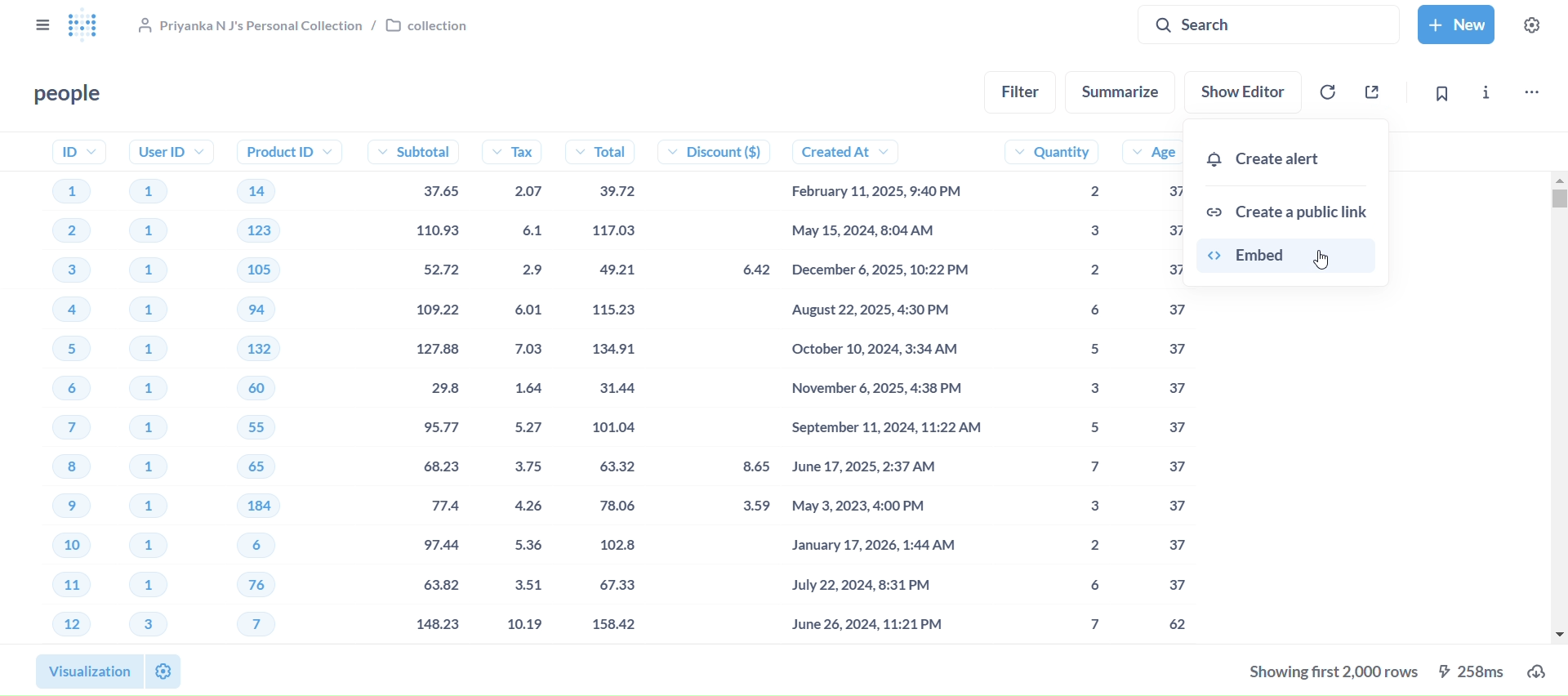  Describe the element at coordinates (305, 26) in the screenshot. I see ` Priyanka N J's Personal Collection / collection` at that location.